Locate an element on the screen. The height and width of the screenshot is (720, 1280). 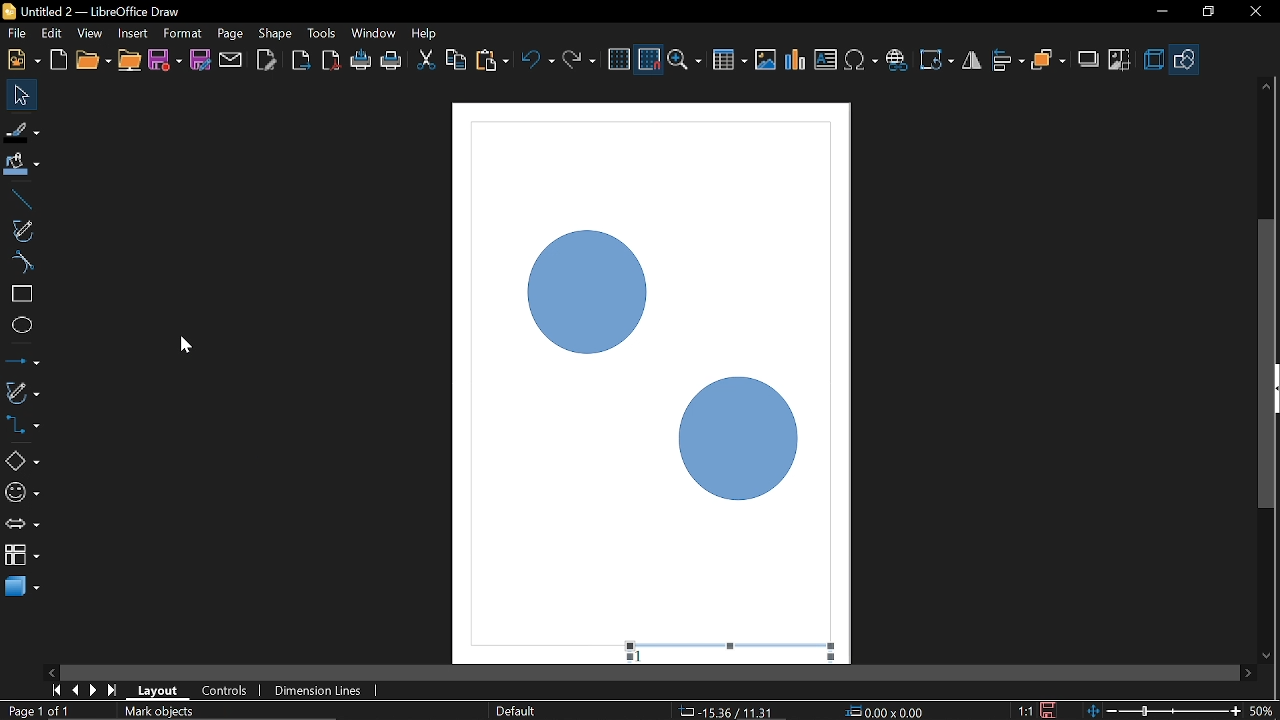
Scaling factor is located at coordinates (1025, 711).